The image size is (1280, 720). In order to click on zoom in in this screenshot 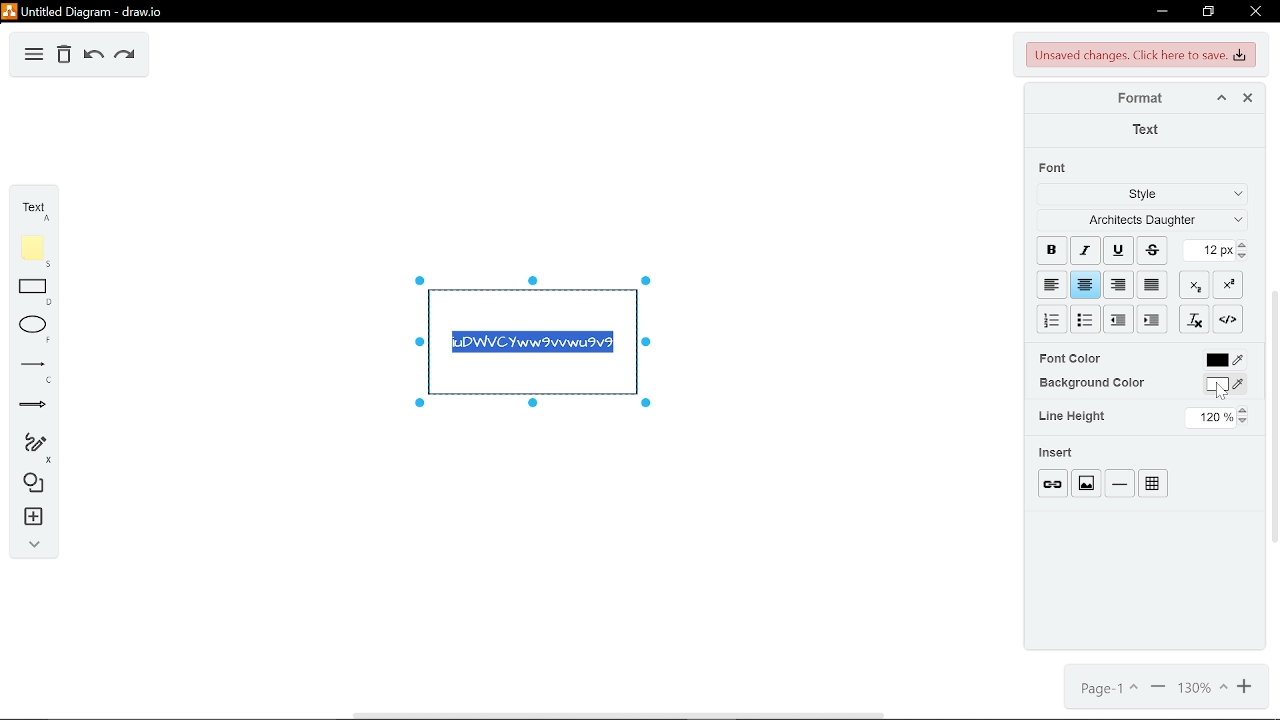, I will do `click(1242, 690)`.